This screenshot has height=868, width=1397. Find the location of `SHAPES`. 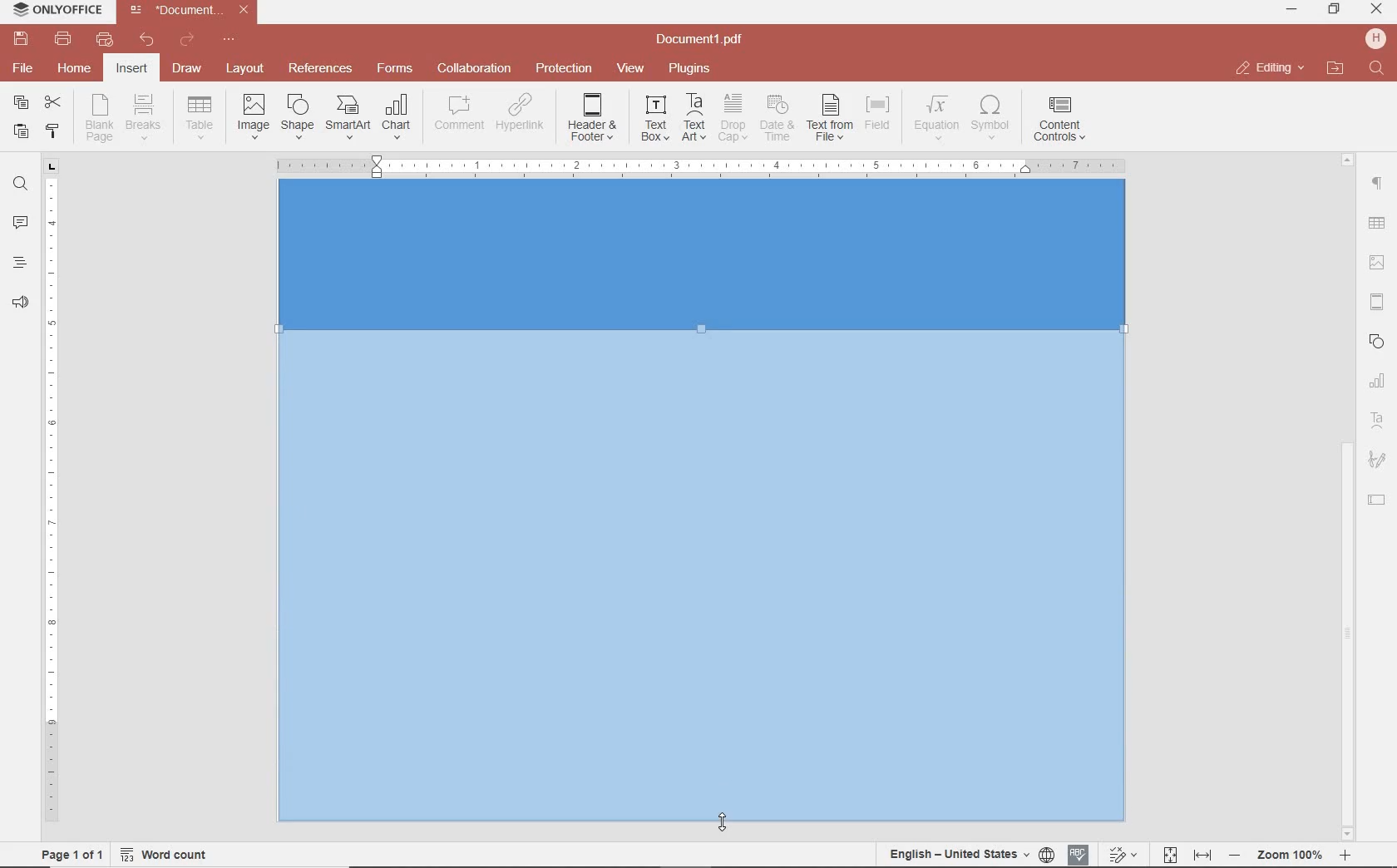

SHAPES is located at coordinates (1378, 343).